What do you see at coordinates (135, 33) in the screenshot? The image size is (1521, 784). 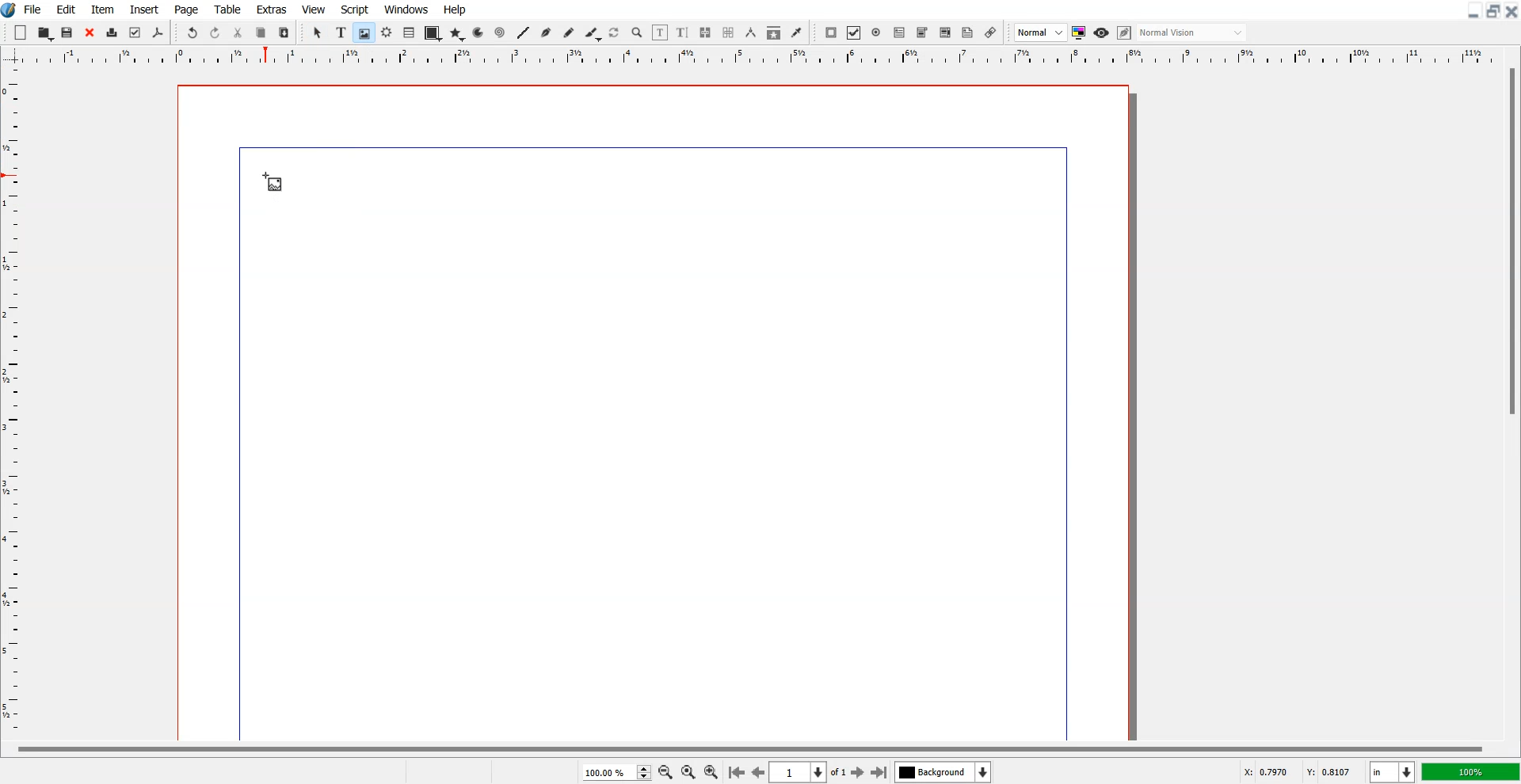 I see `Preflight verifier` at bounding box center [135, 33].